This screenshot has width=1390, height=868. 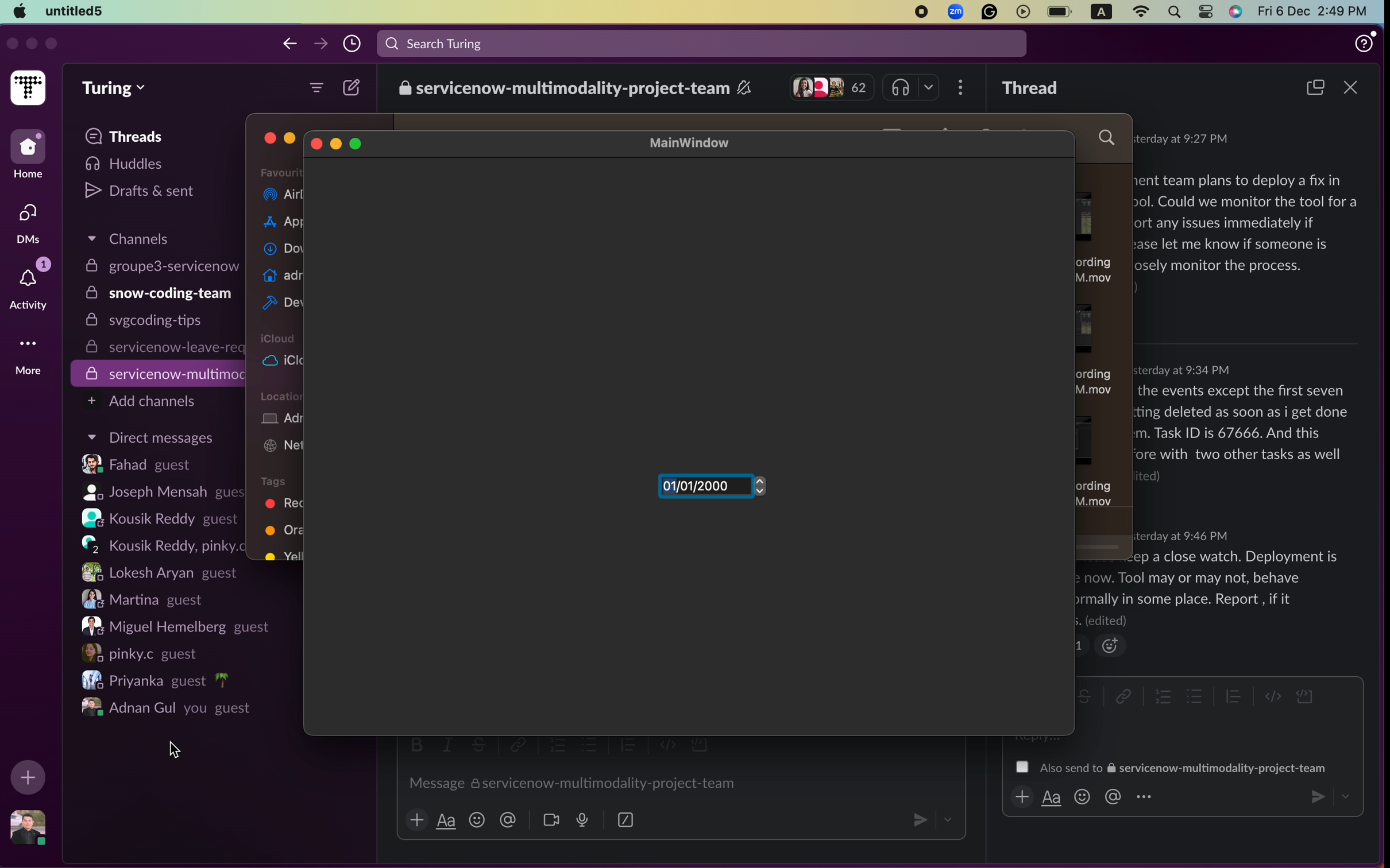 I want to click on minimize, so click(x=32, y=44).